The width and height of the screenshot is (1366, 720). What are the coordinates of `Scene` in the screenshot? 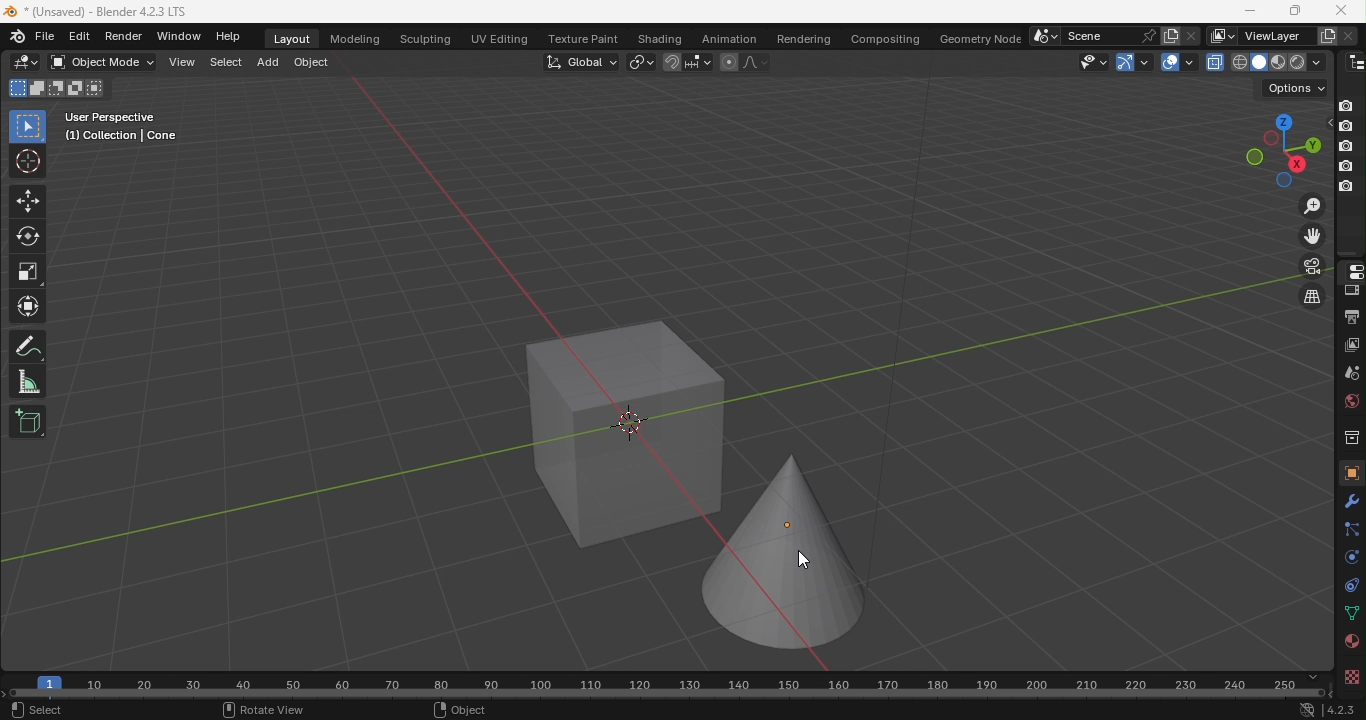 It's located at (1351, 372).